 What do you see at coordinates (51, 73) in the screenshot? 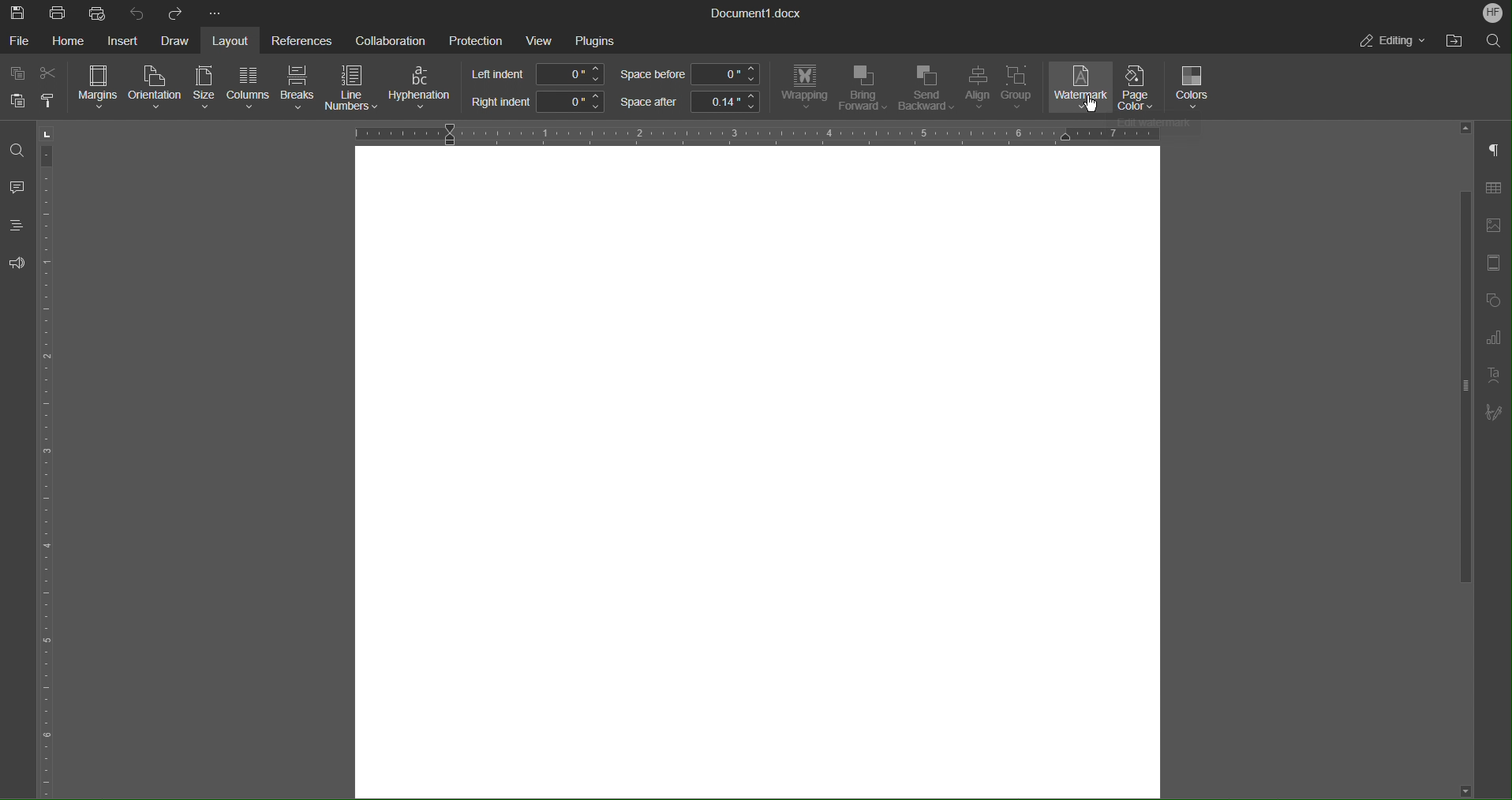
I see `Cut` at bounding box center [51, 73].